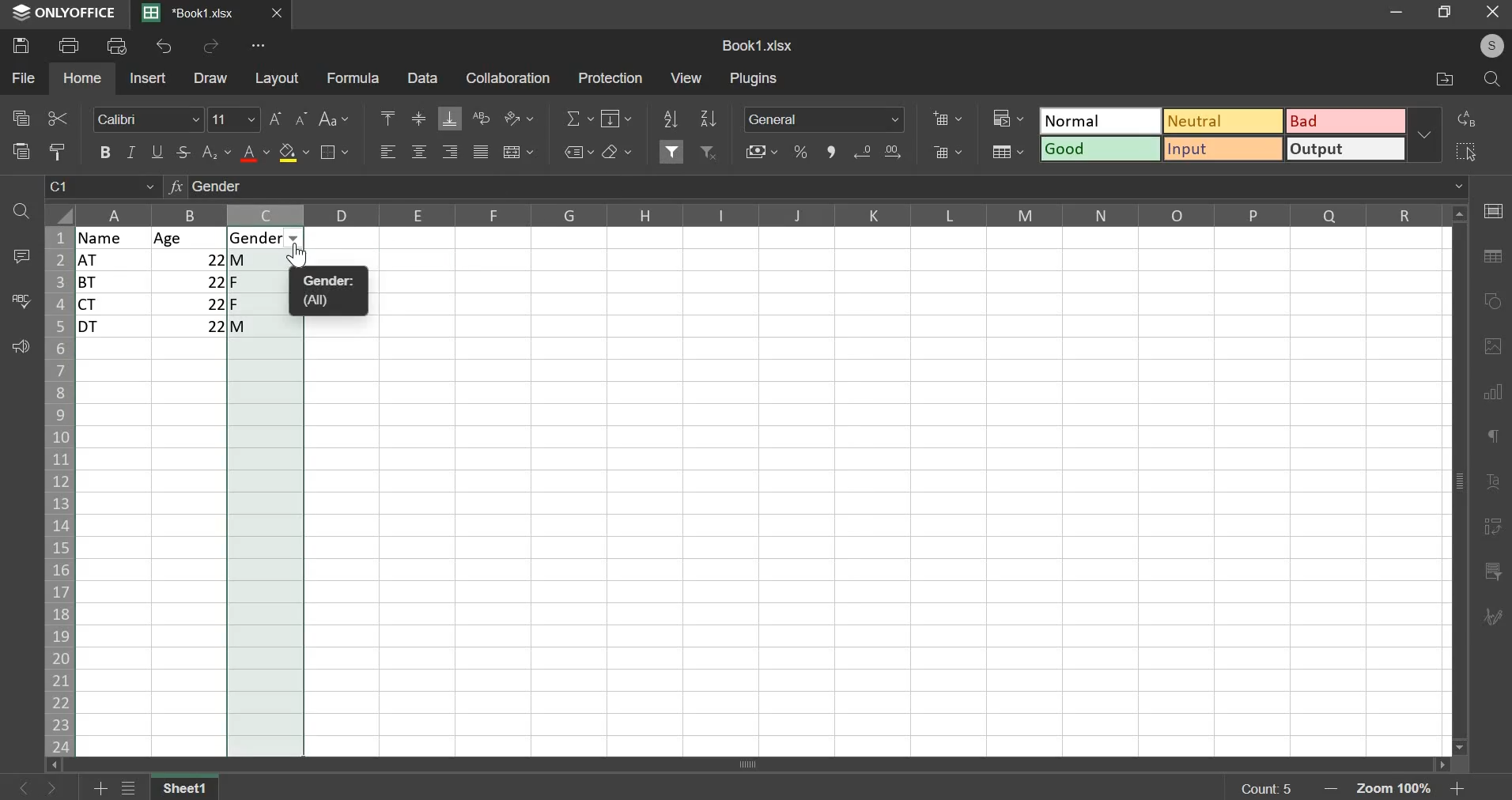 The width and height of the screenshot is (1512, 800). I want to click on print, so click(69, 44).